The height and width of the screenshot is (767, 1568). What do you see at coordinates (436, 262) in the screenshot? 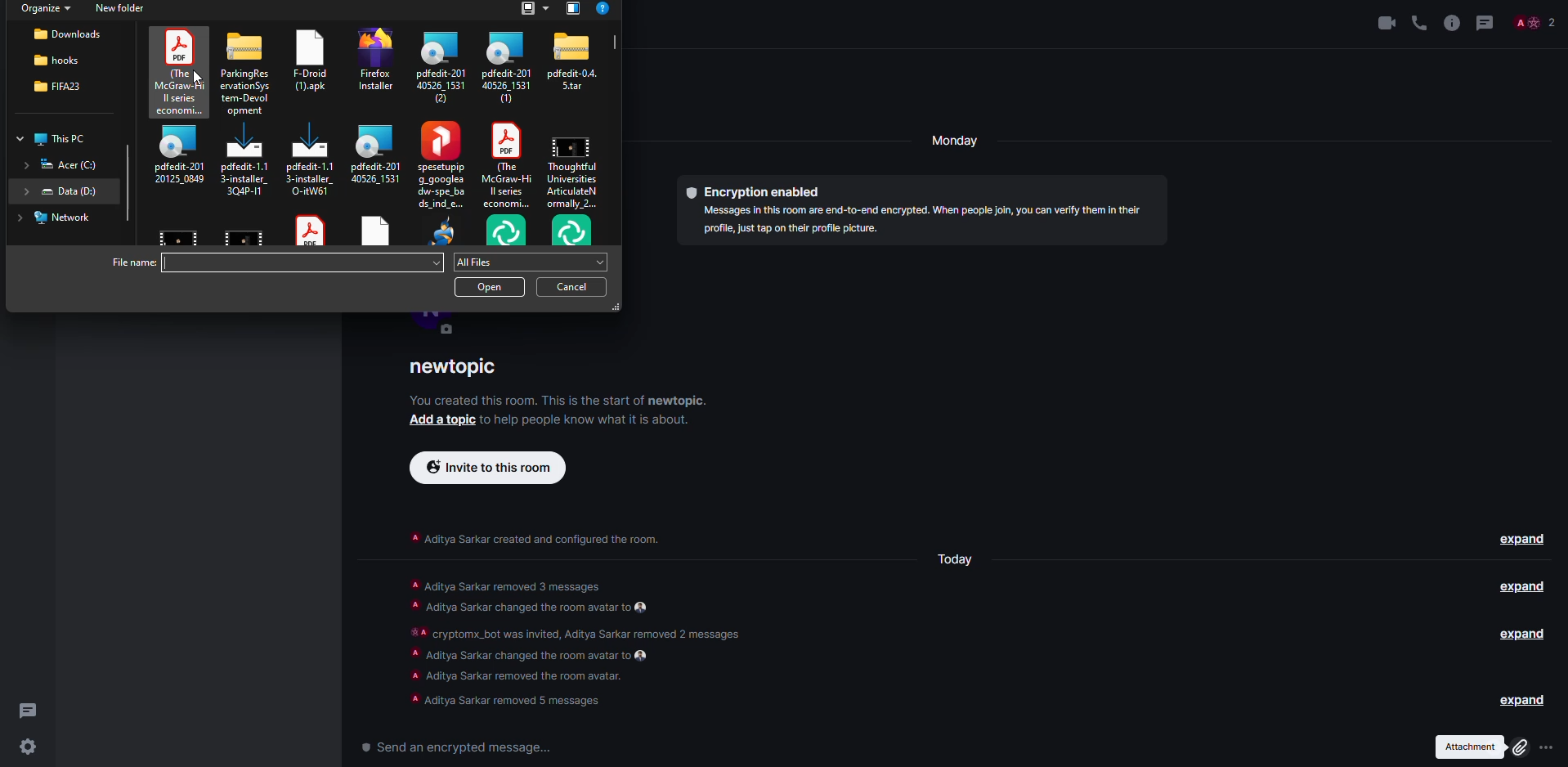
I see `drop down` at bounding box center [436, 262].